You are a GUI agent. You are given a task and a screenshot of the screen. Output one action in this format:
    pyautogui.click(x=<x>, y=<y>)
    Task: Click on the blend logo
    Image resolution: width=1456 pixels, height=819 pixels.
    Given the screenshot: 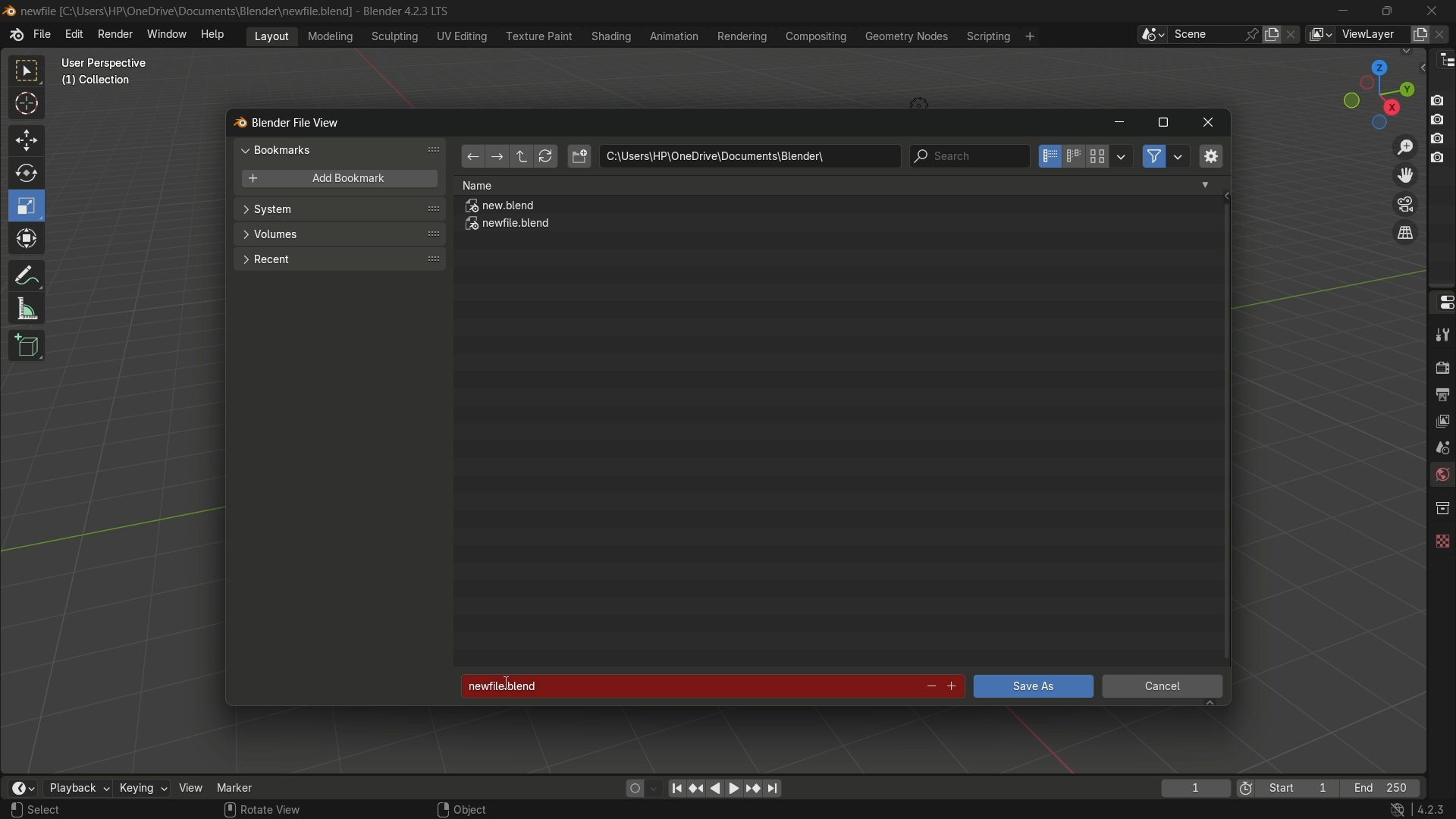 What is the action you would take?
    pyautogui.click(x=234, y=124)
    